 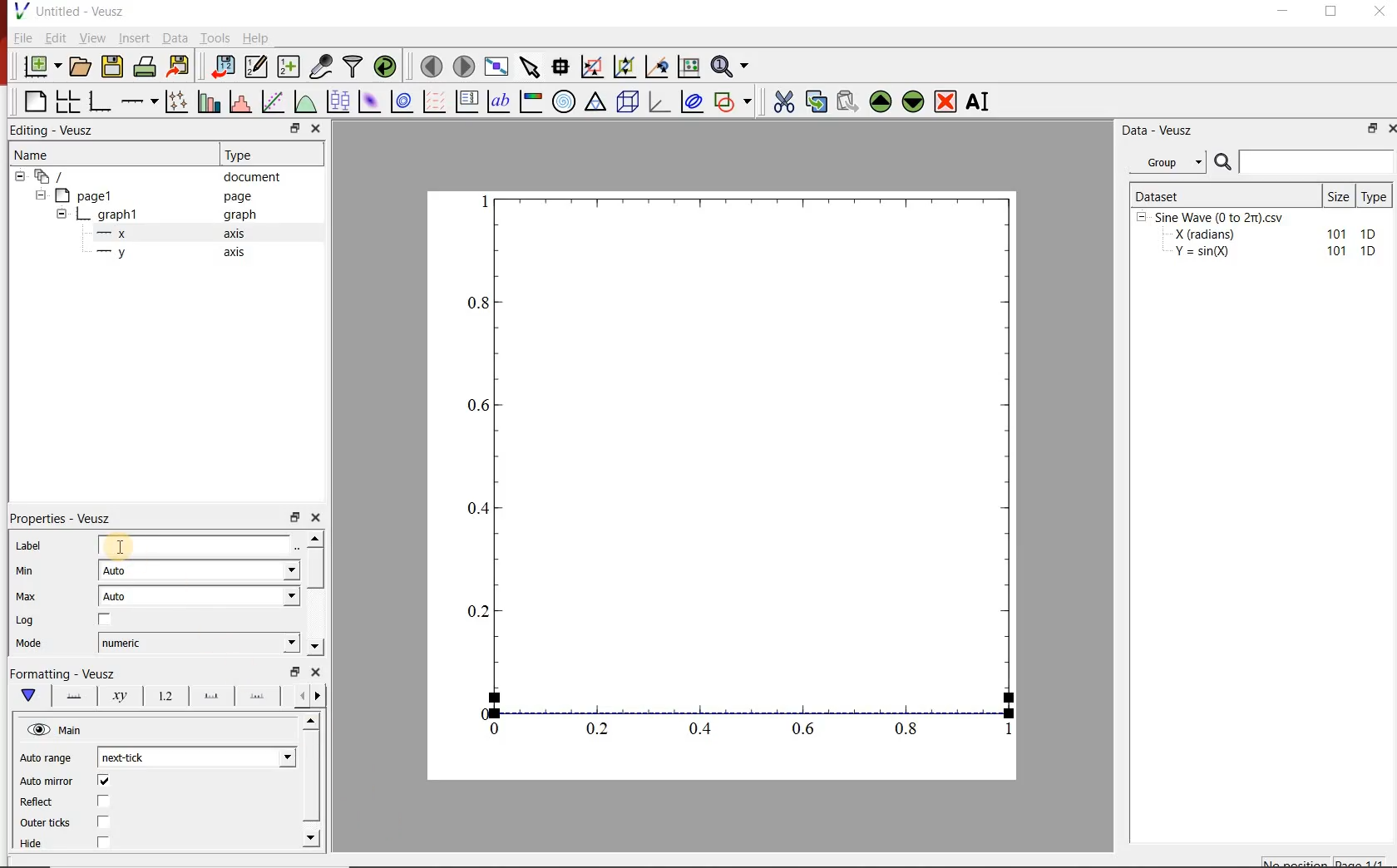 I want to click on Close, so click(x=317, y=672).